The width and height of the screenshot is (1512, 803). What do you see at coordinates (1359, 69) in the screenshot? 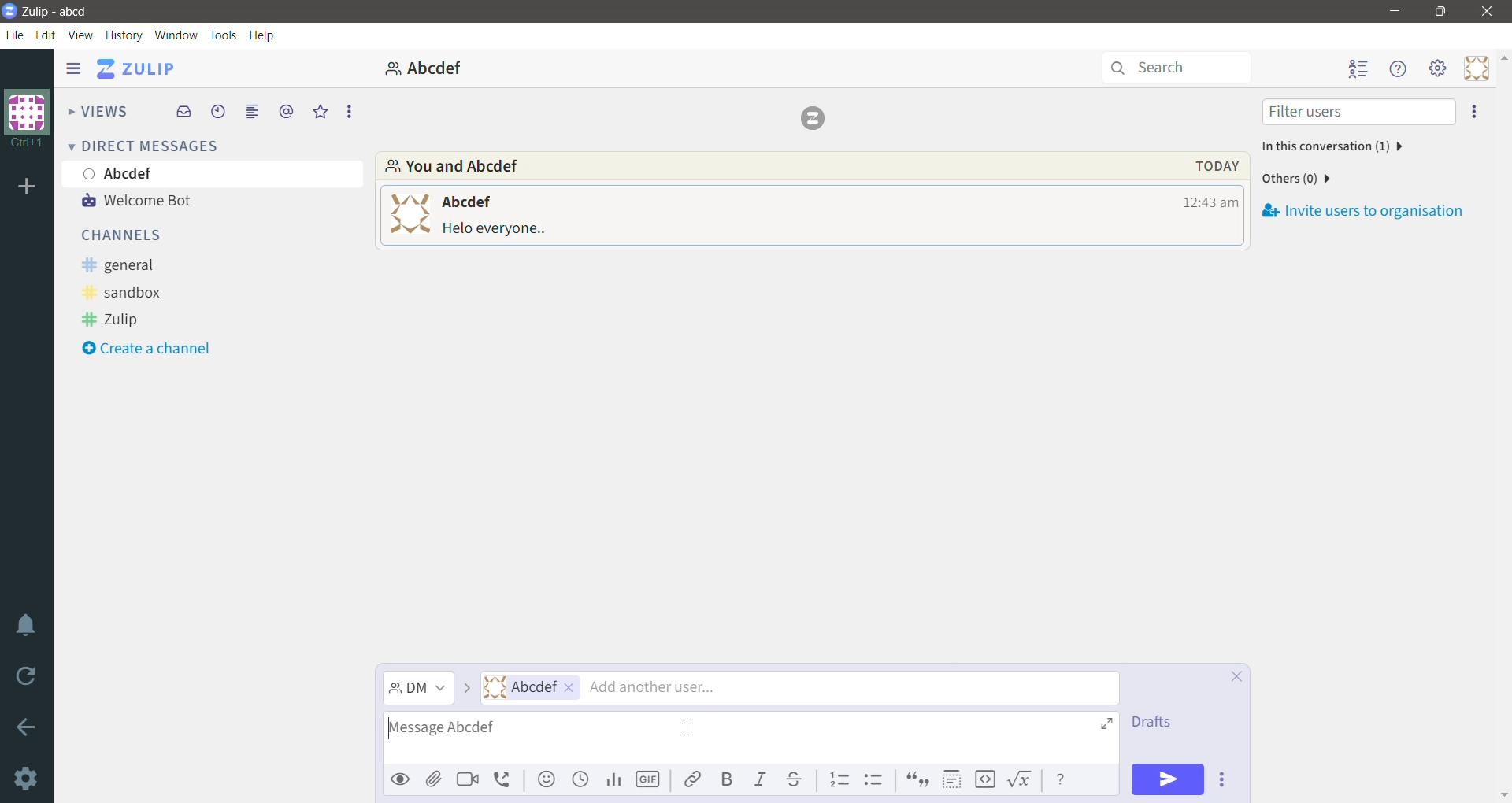
I see `Hide user list` at bounding box center [1359, 69].